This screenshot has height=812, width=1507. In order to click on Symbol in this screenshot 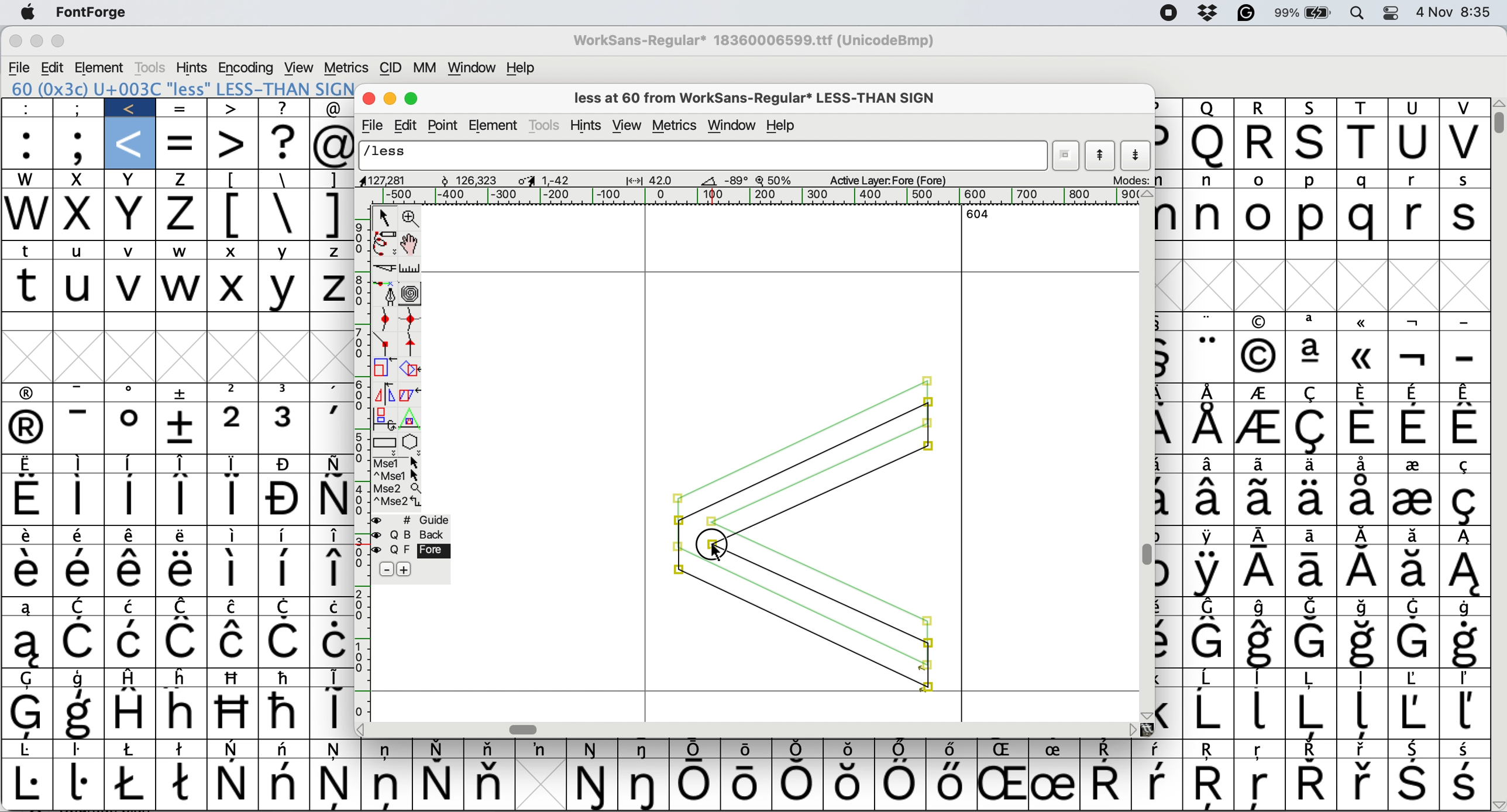, I will do `click(229, 572)`.